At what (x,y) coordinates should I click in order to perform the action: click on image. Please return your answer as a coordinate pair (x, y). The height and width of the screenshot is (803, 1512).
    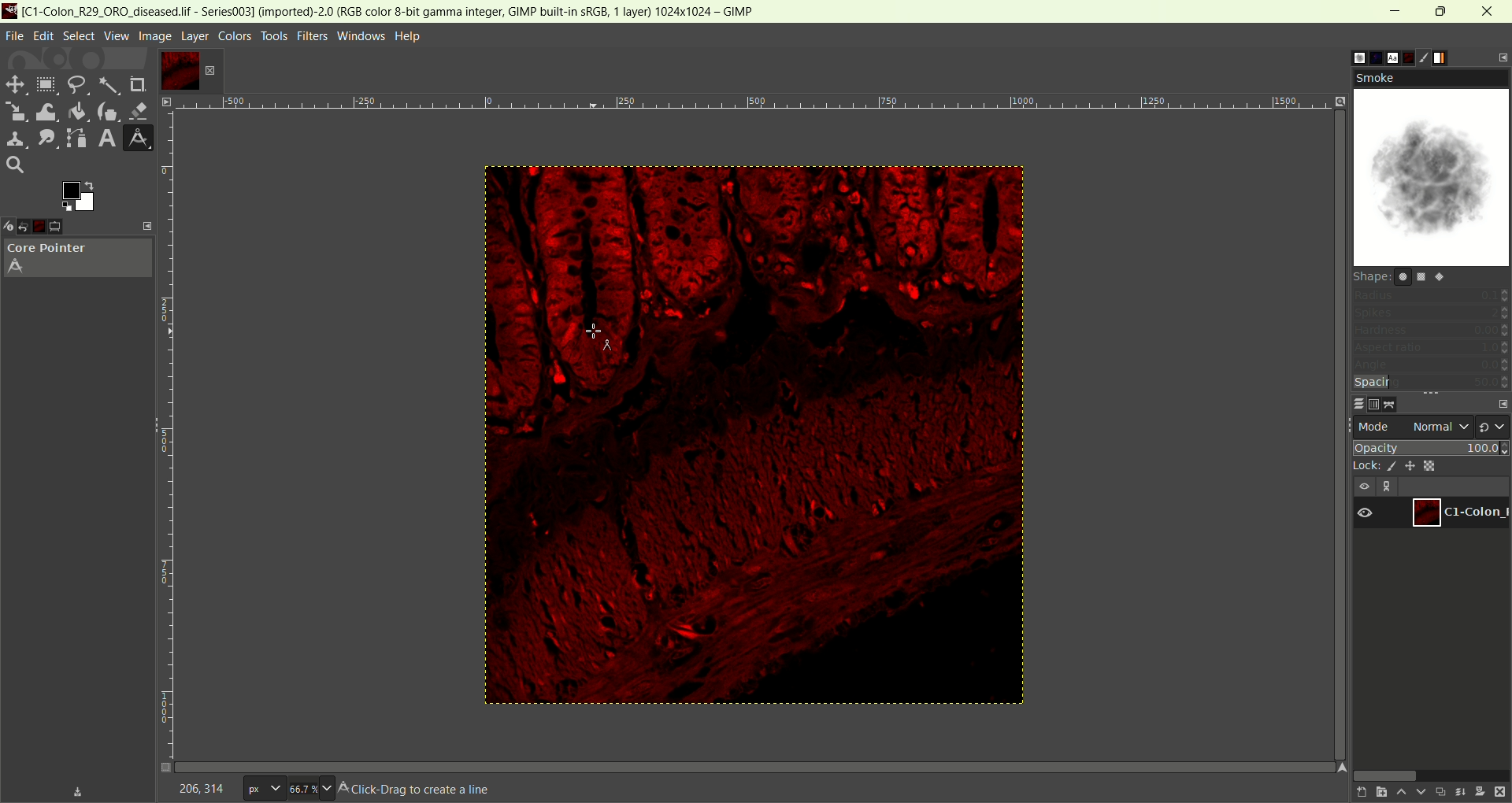
    Looking at the image, I should click on (750, 442).